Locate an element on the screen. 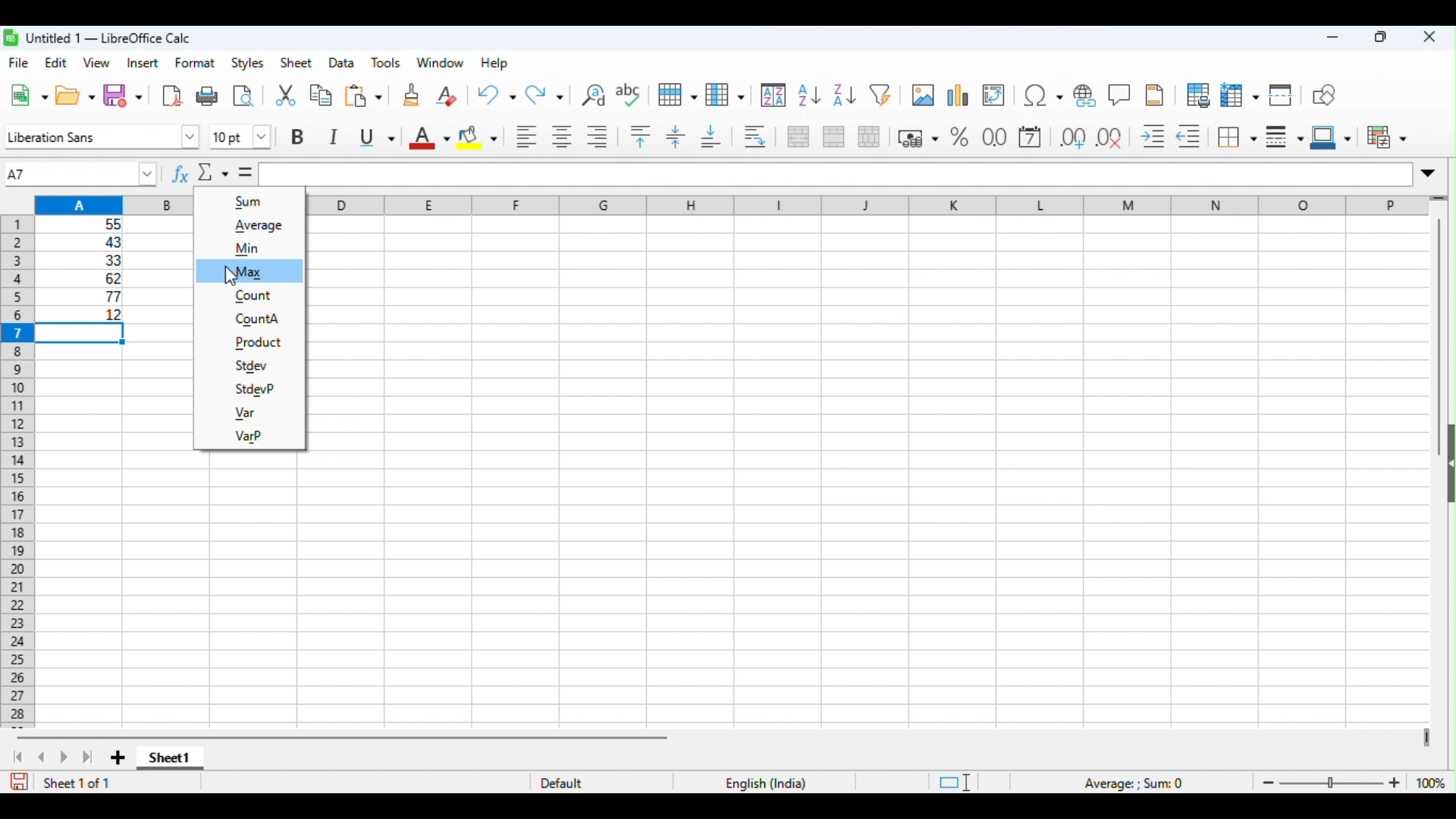 The width and height of the screenshot is (1456, 819). sheet 1 of 1 is located at coordinates (78, 783).